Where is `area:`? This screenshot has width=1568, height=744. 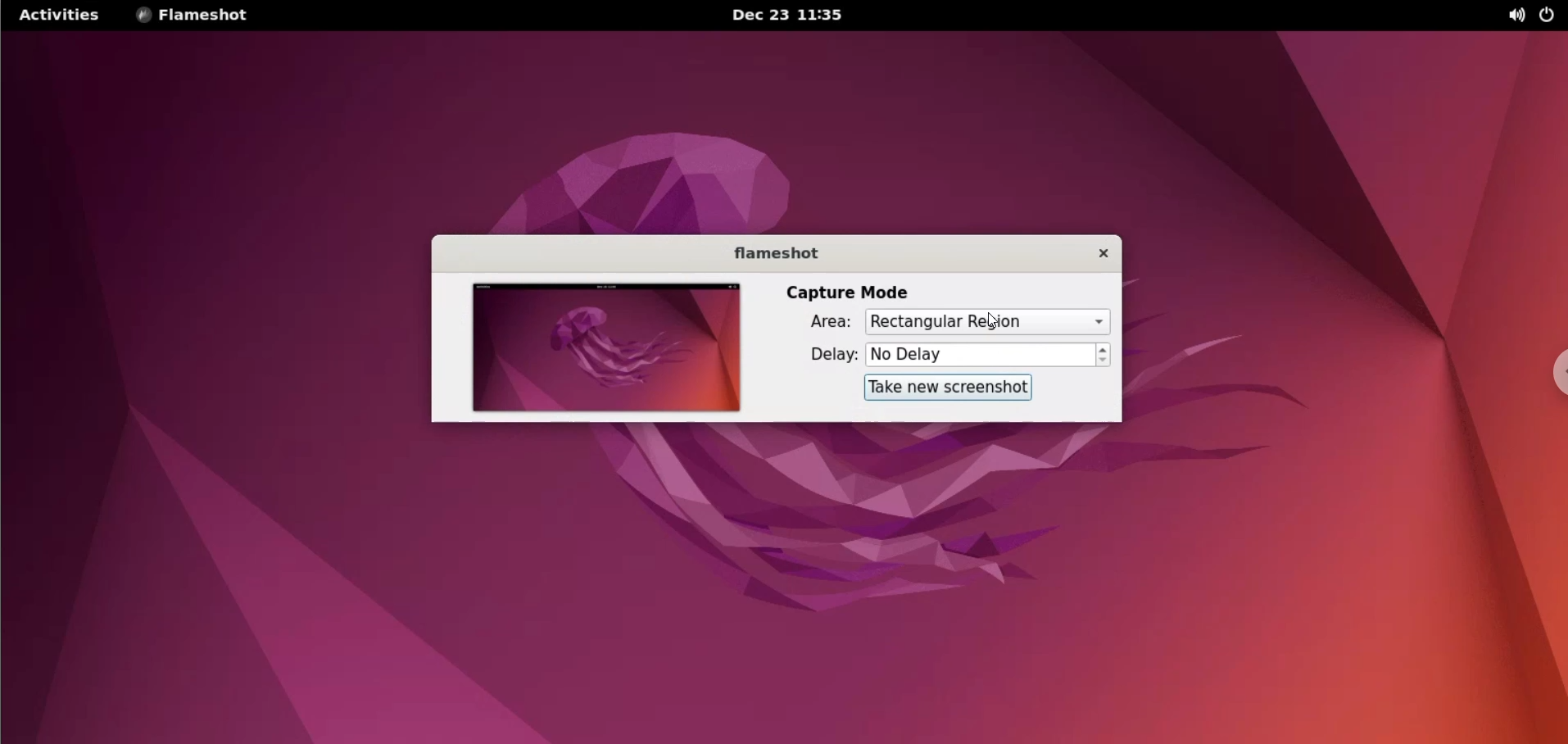
area: is located at coordinates (823, 324).